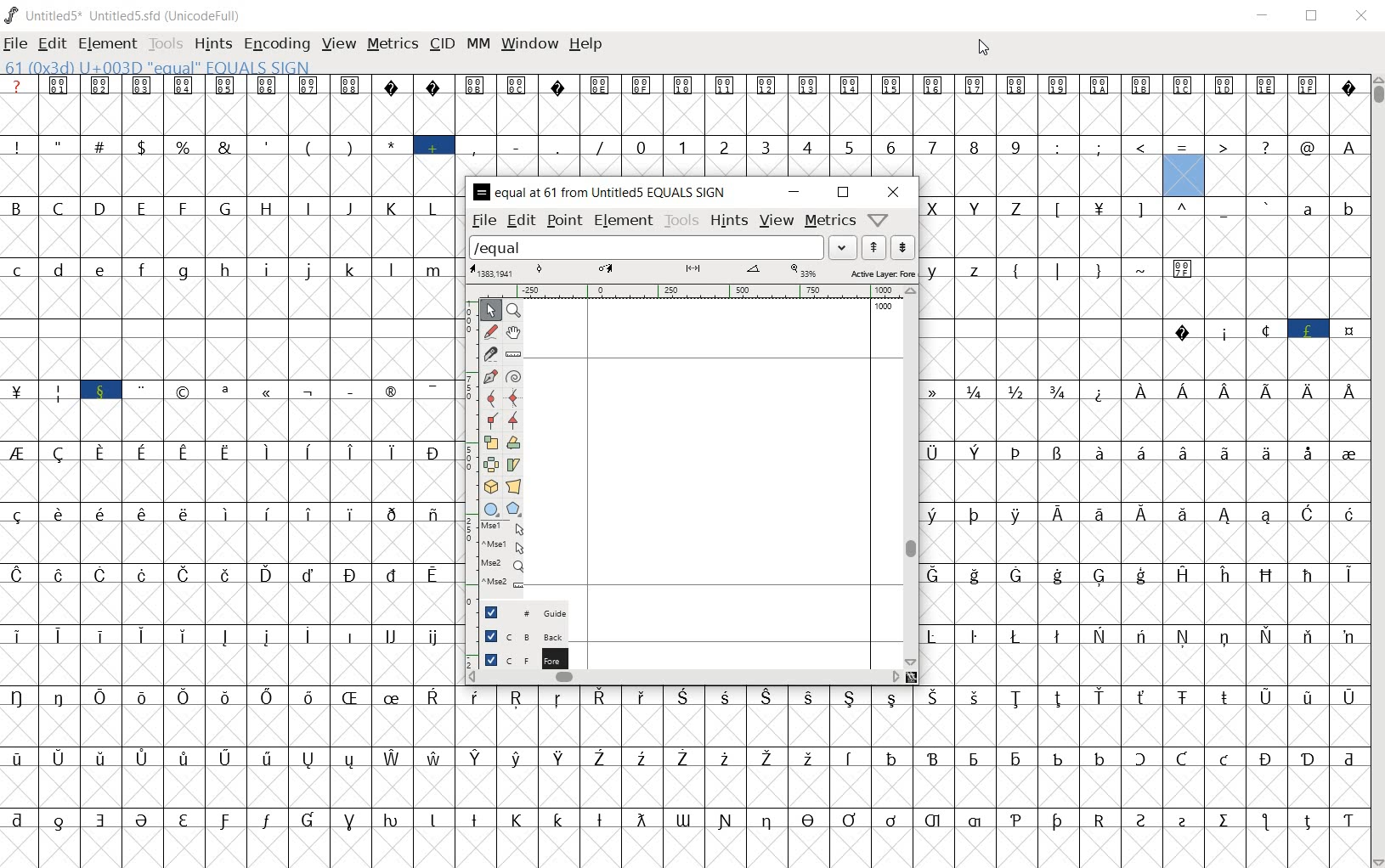 This screenshot has width=1385, height=868. I want to click on restore down, so click(843, 194).